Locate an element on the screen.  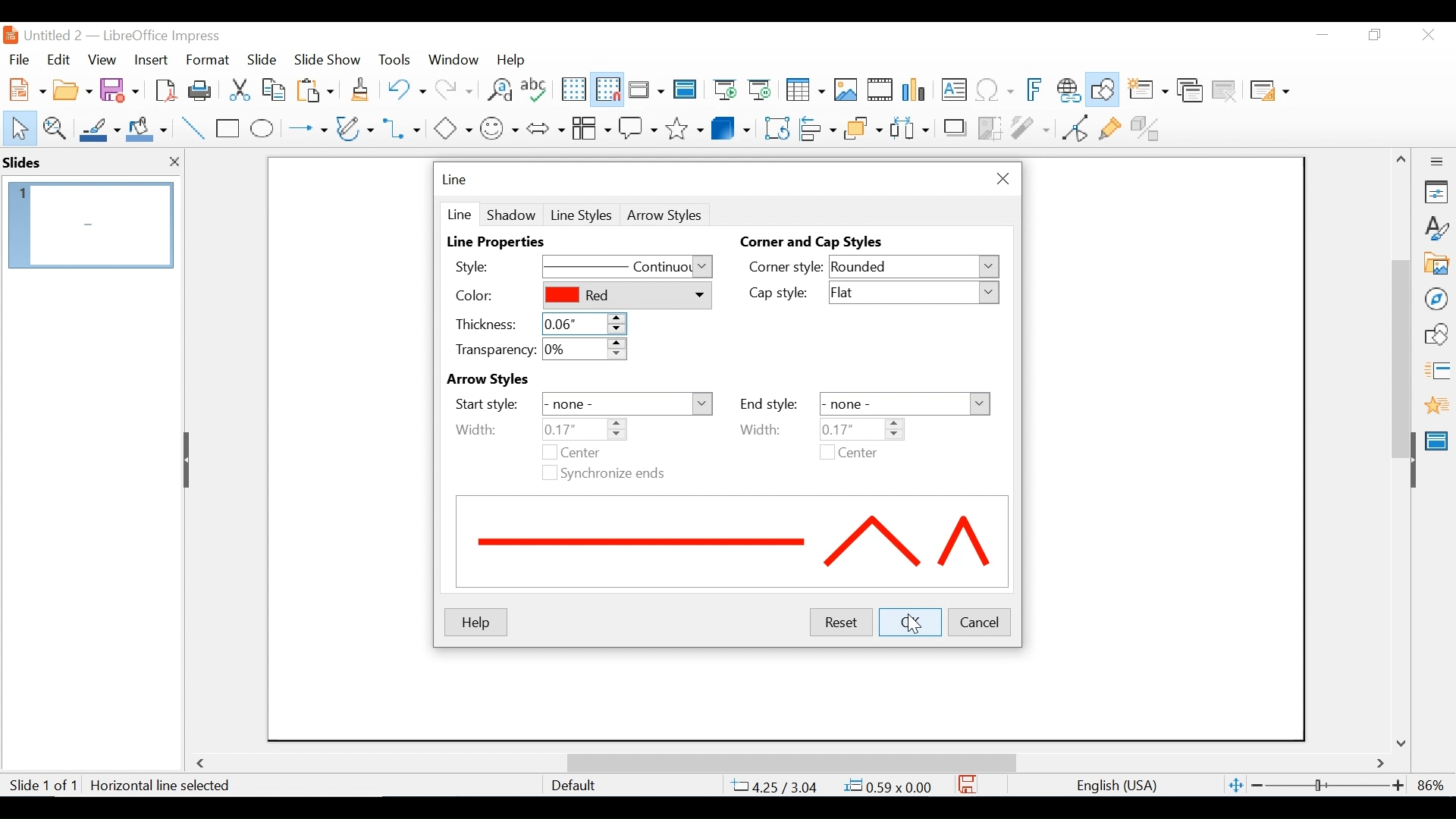
Cancel is located at coordinates (980, 620).